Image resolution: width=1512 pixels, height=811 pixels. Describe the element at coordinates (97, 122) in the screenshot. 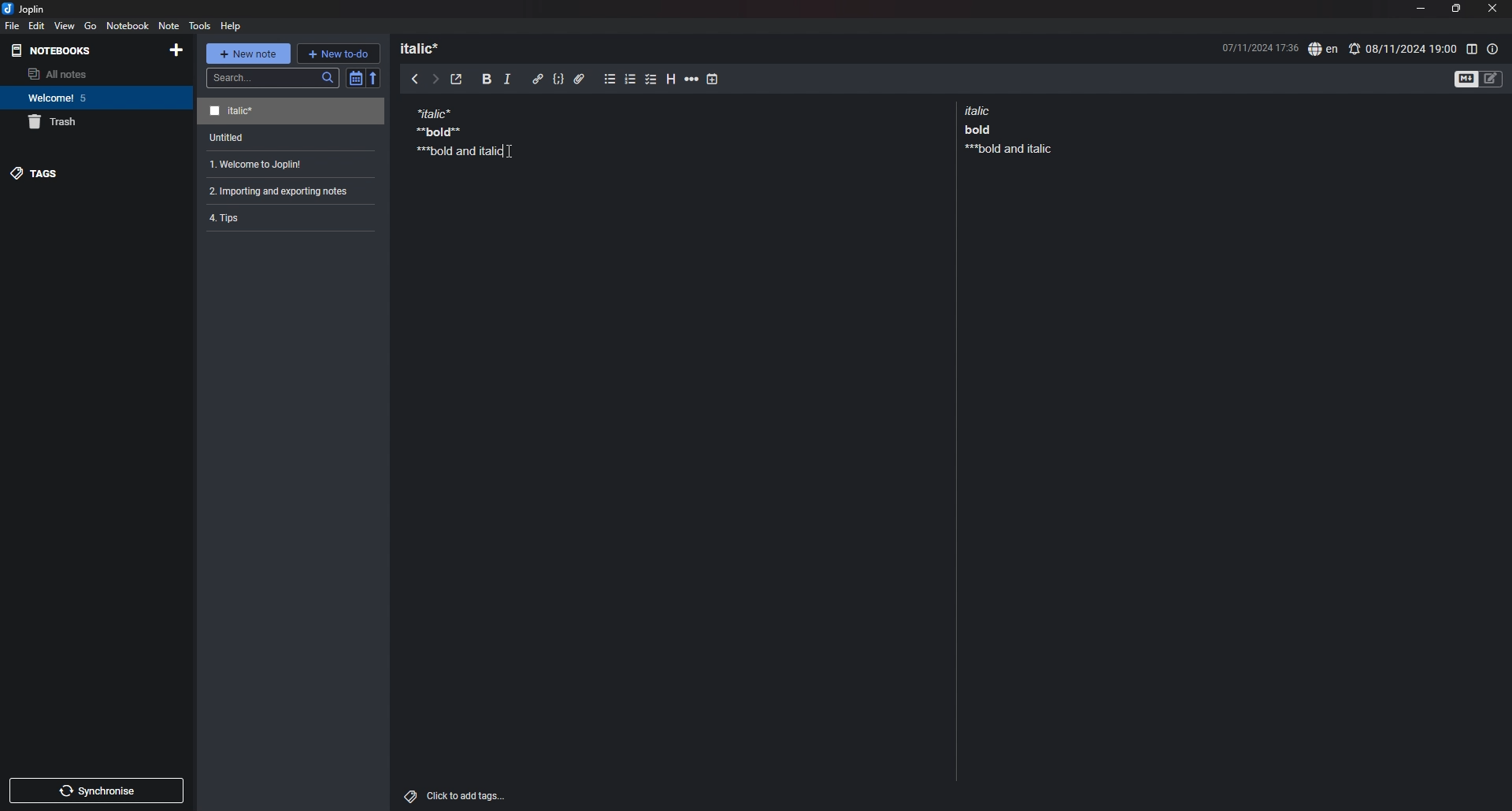

I see `trash` at that location.